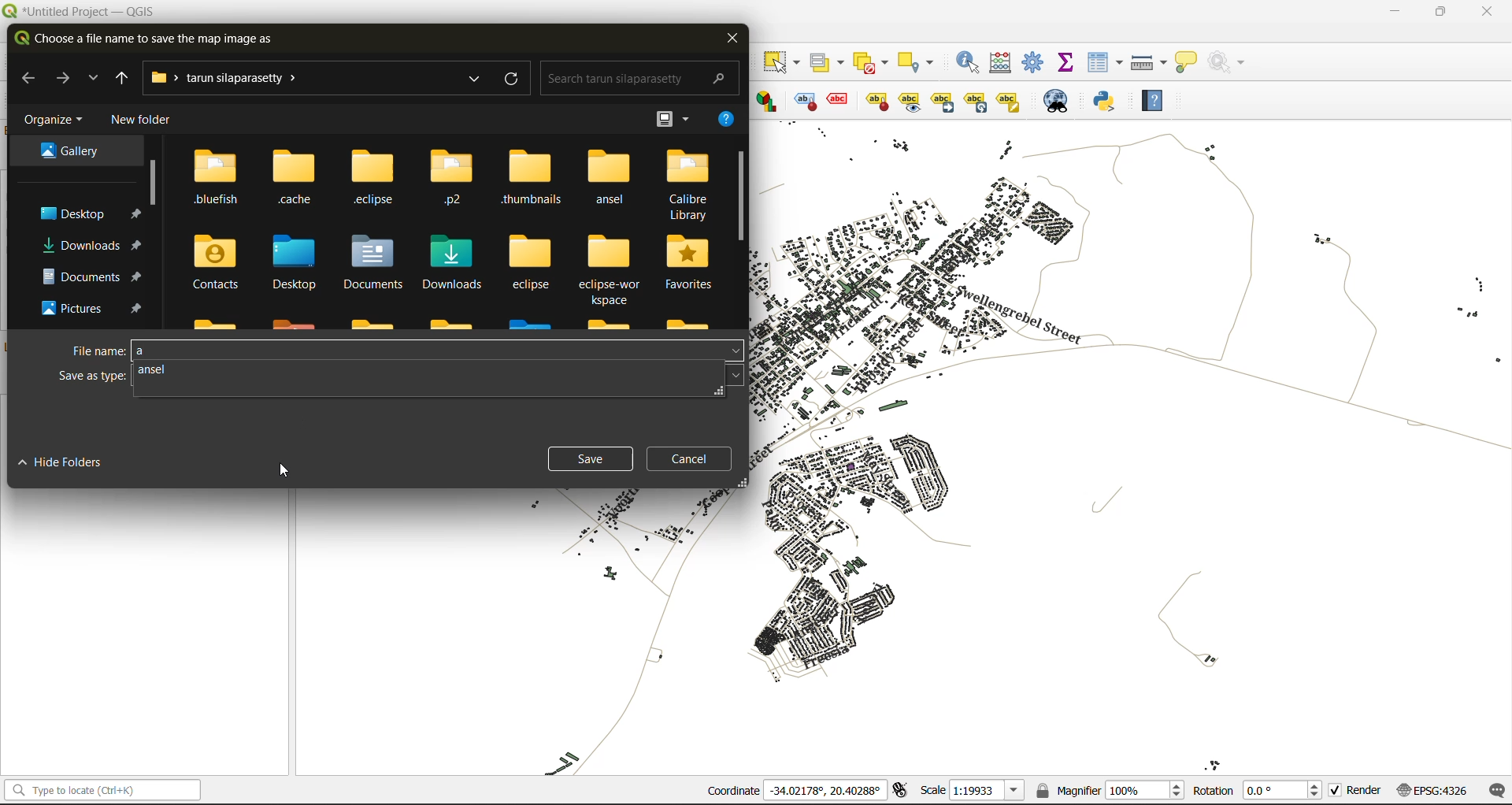 The height and width of the screenshot is (805, 1512). What do you see at coordinates (1003, 63) in the screenshot?
I see `calculator` at bounding box center [1003, 63].